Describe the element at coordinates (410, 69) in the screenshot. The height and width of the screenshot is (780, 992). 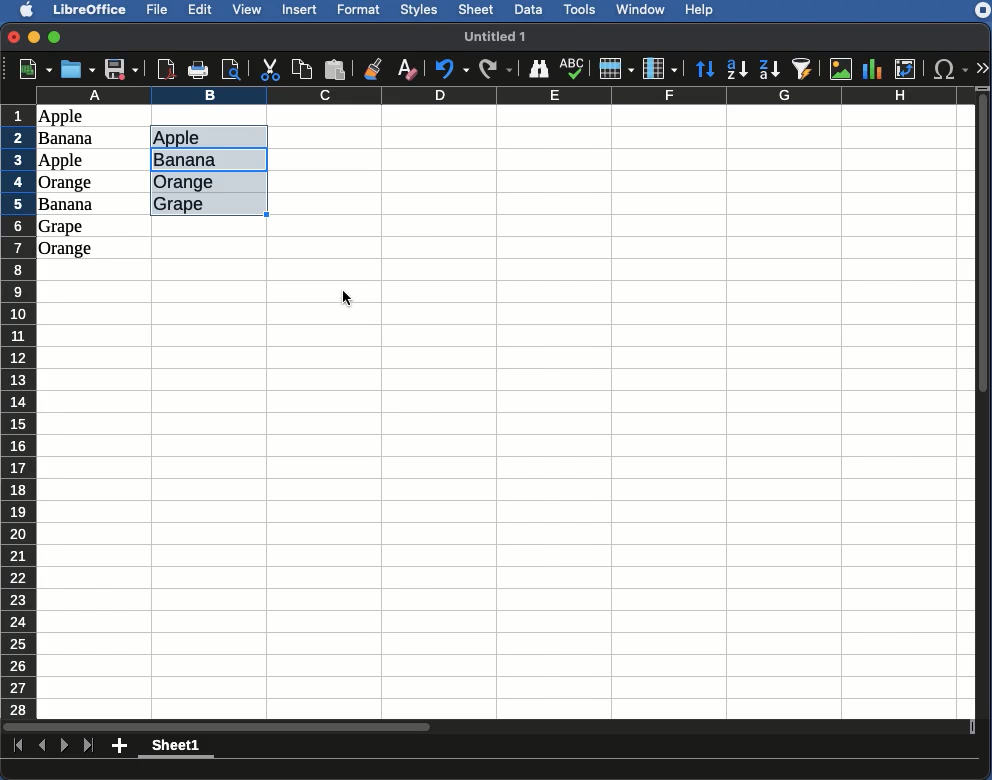
I see `Clear formatting` at that location.